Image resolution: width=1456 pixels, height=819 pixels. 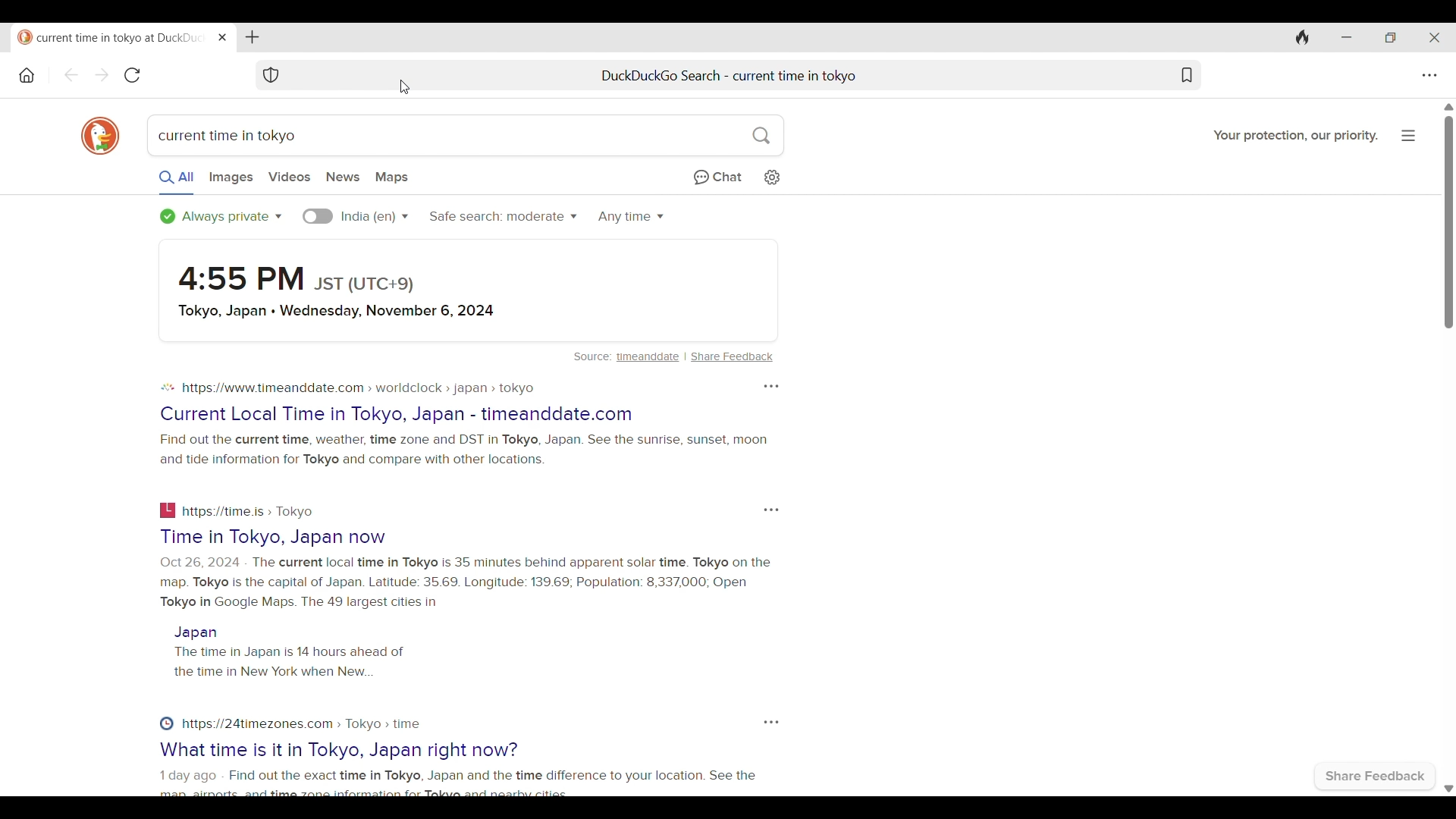 I want to click on 4:55 PM JST (UTC+9), so click(x=299, y=278).